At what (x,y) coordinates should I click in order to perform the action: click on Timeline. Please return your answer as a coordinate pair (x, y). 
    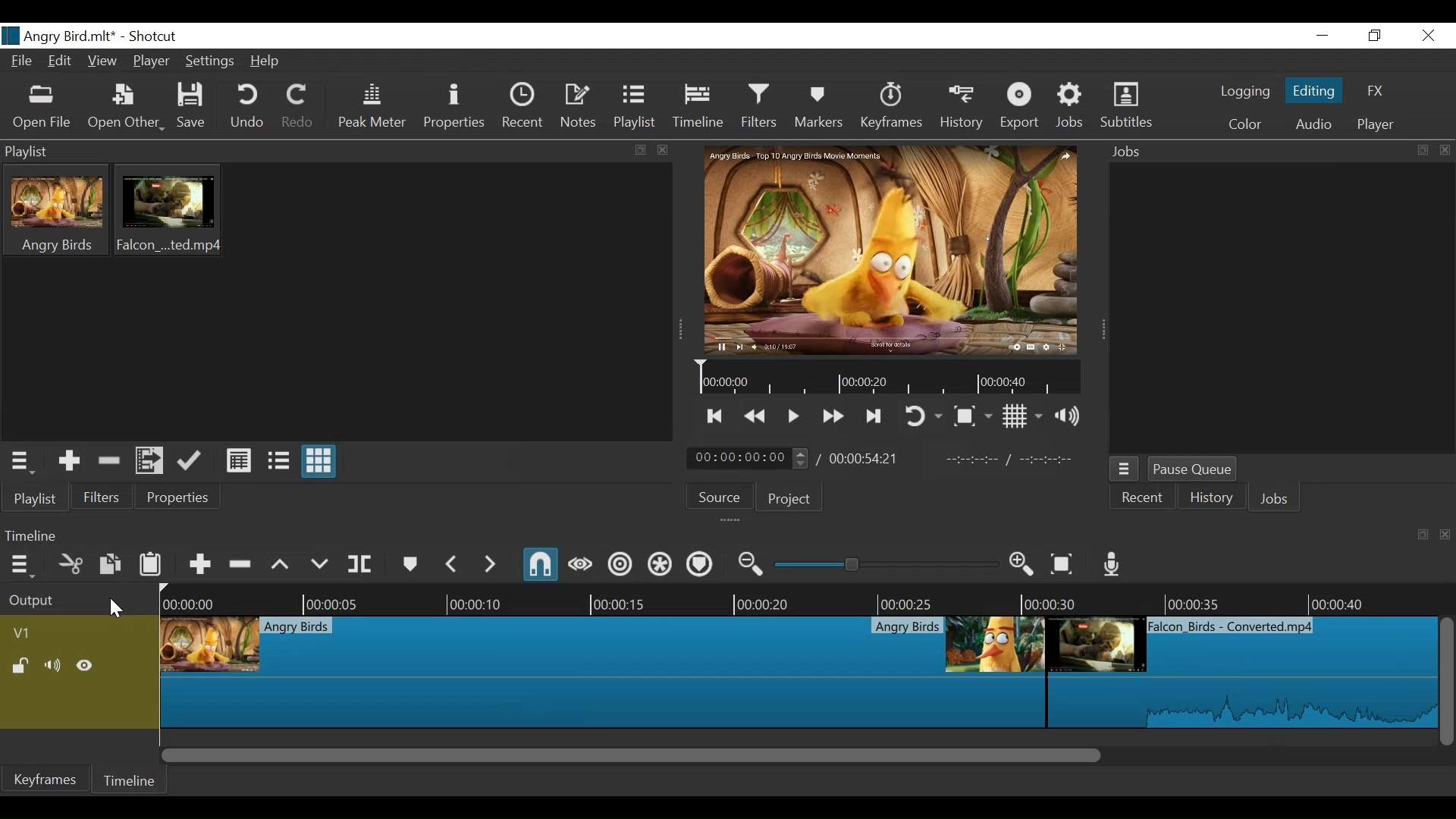
    Looking at the image, I should click on (698, 106).